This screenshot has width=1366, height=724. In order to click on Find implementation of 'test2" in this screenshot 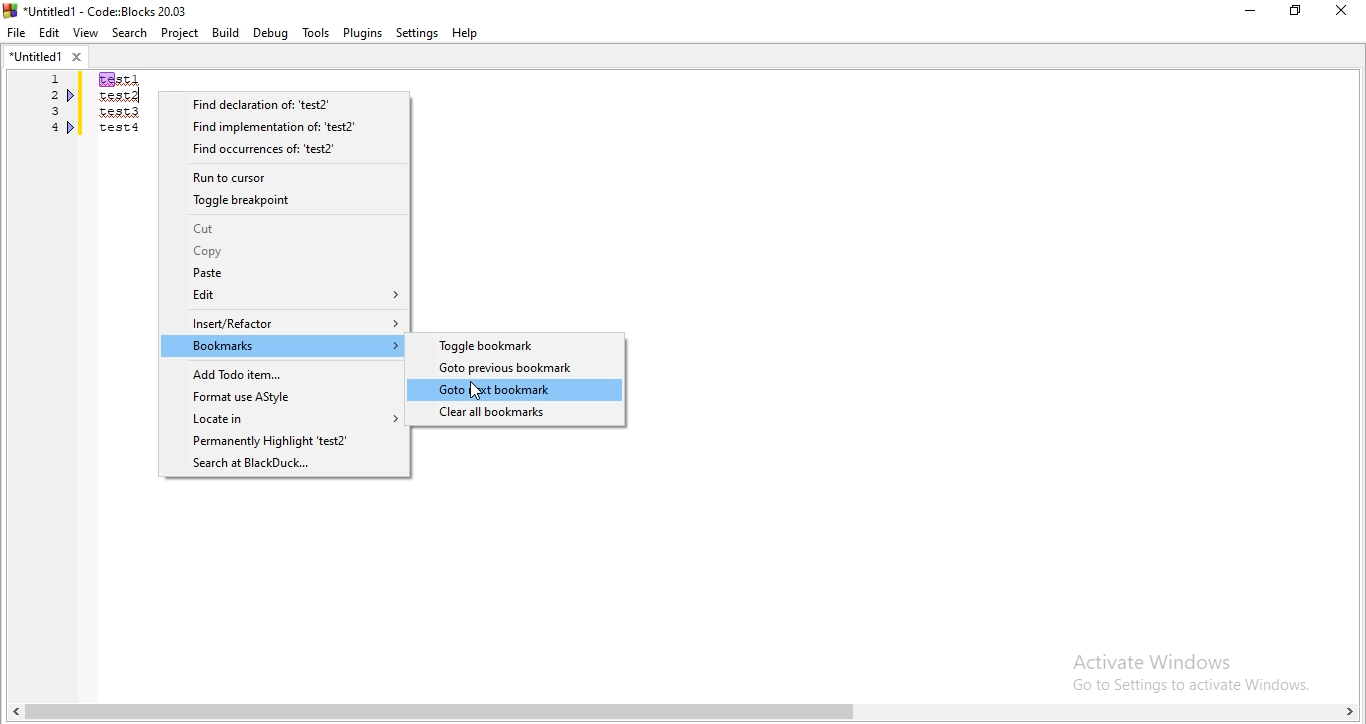, I will do `click(285, 126)`.